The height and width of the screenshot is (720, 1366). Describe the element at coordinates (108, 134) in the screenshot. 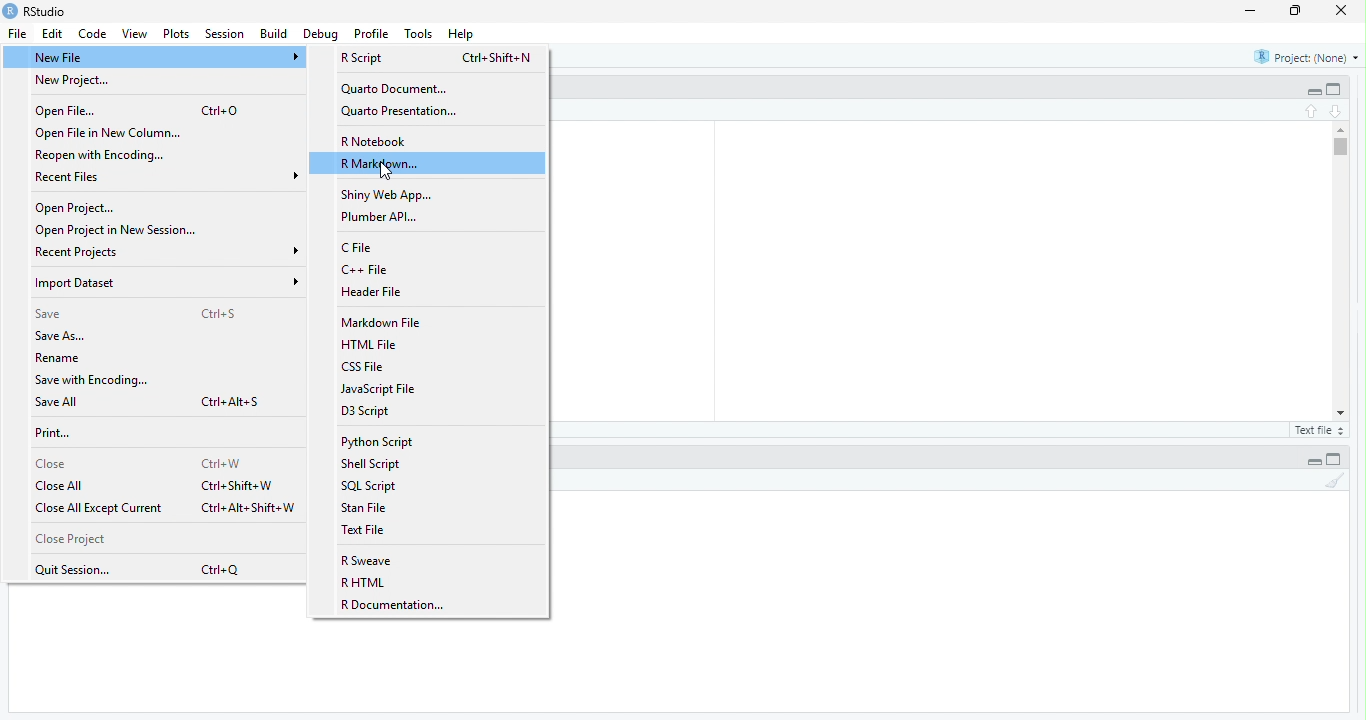

I see `Open File in New Column...` at that location.